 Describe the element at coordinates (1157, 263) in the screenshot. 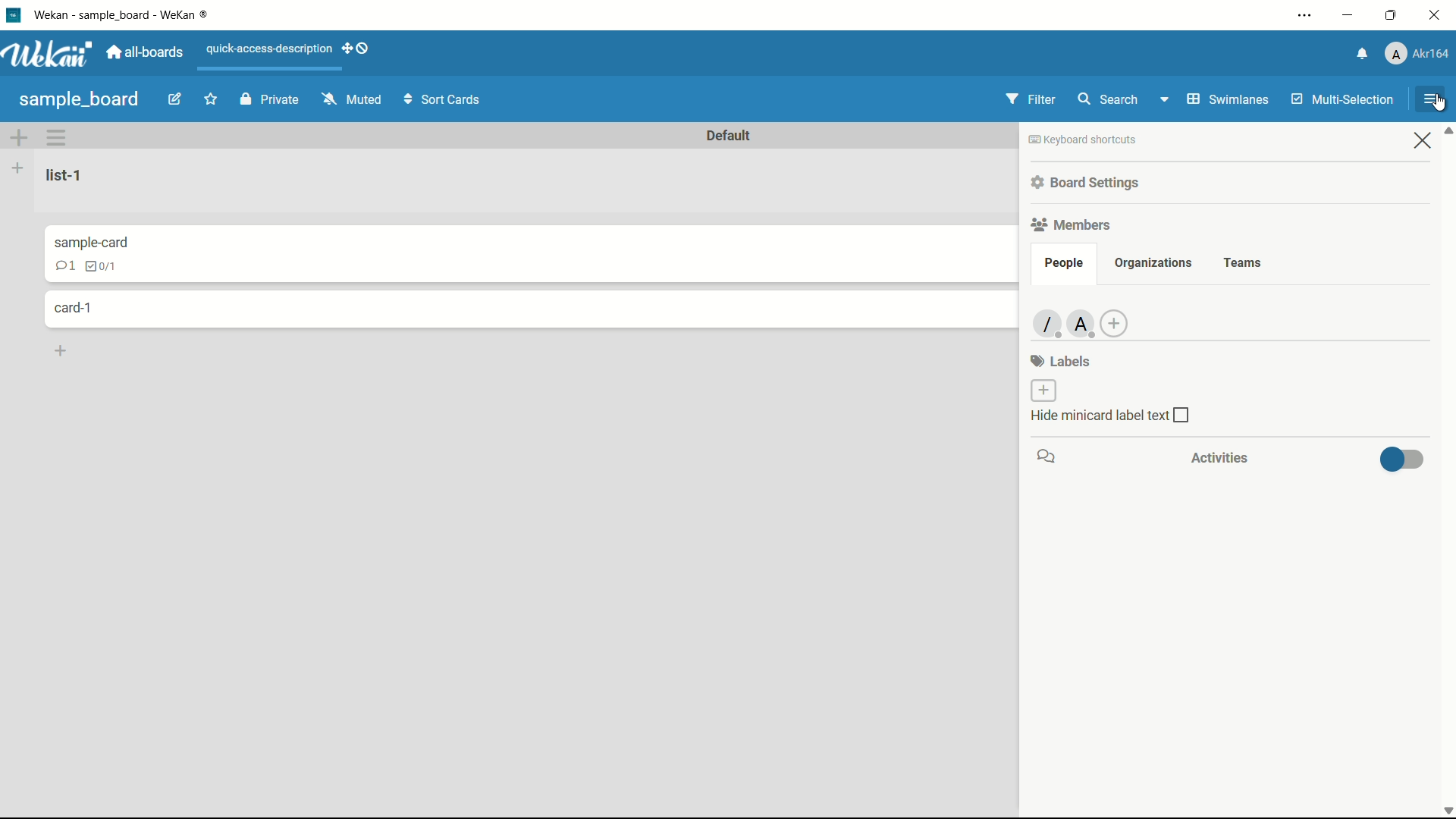

I see `organizations` at that location.